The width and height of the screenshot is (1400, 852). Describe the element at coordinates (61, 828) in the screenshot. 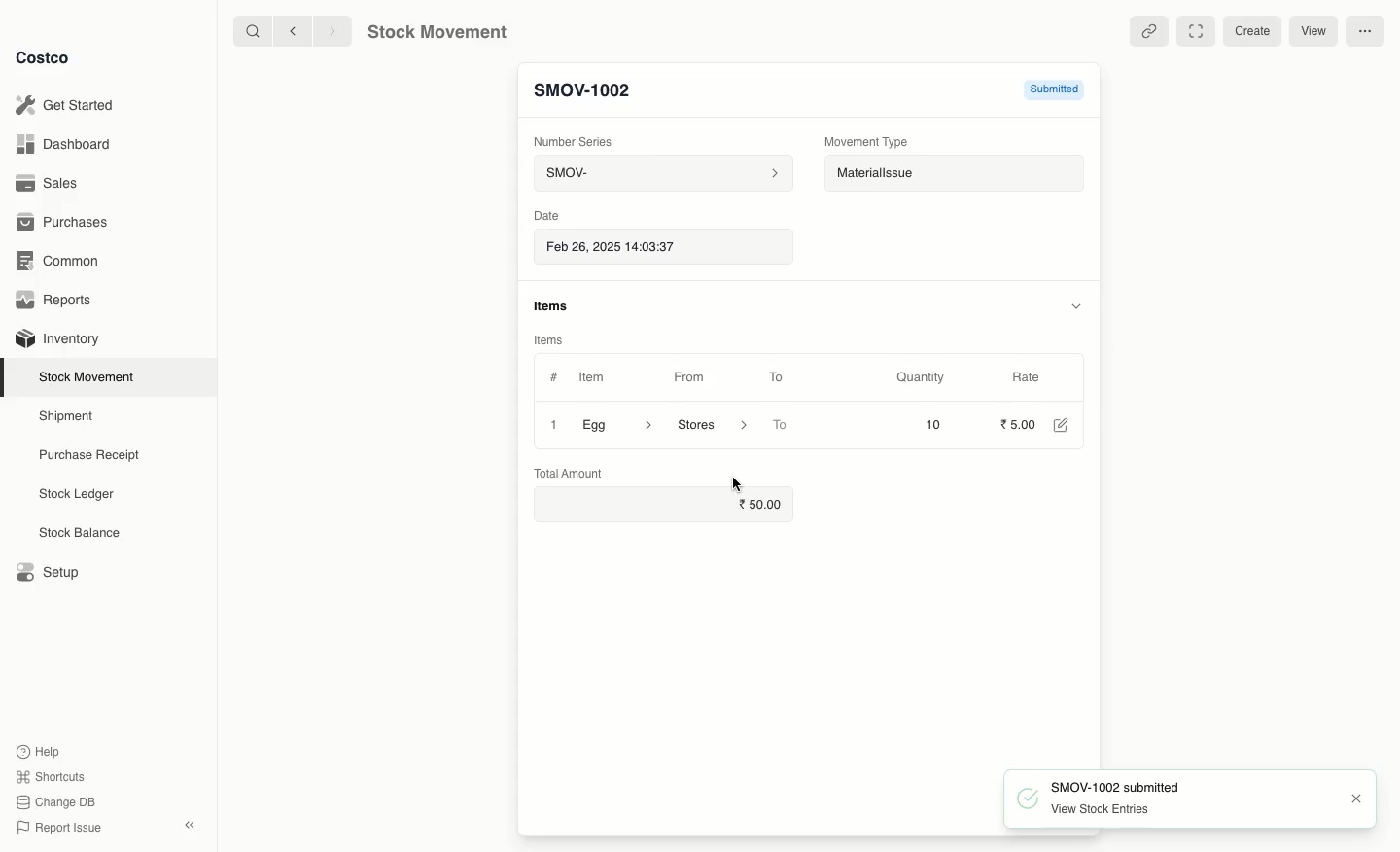

I see `Report Issue` at that location.